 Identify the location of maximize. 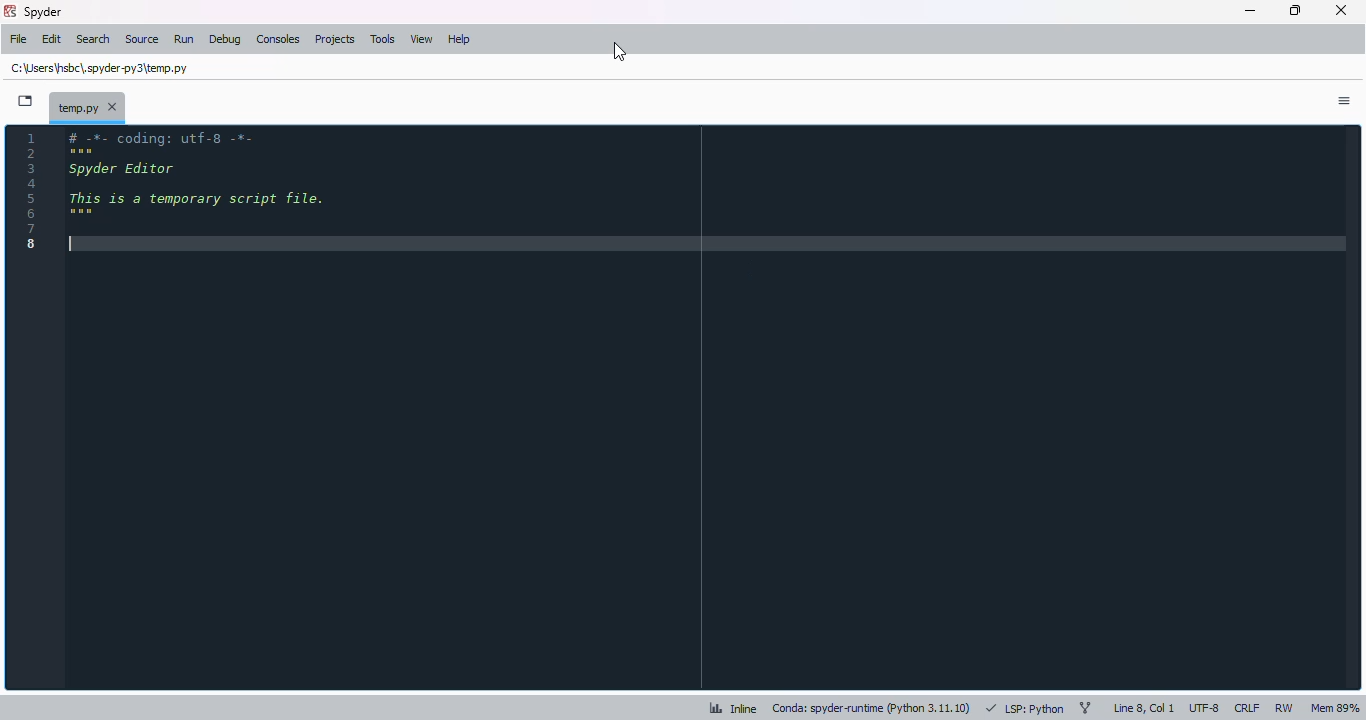
(1296, 10).